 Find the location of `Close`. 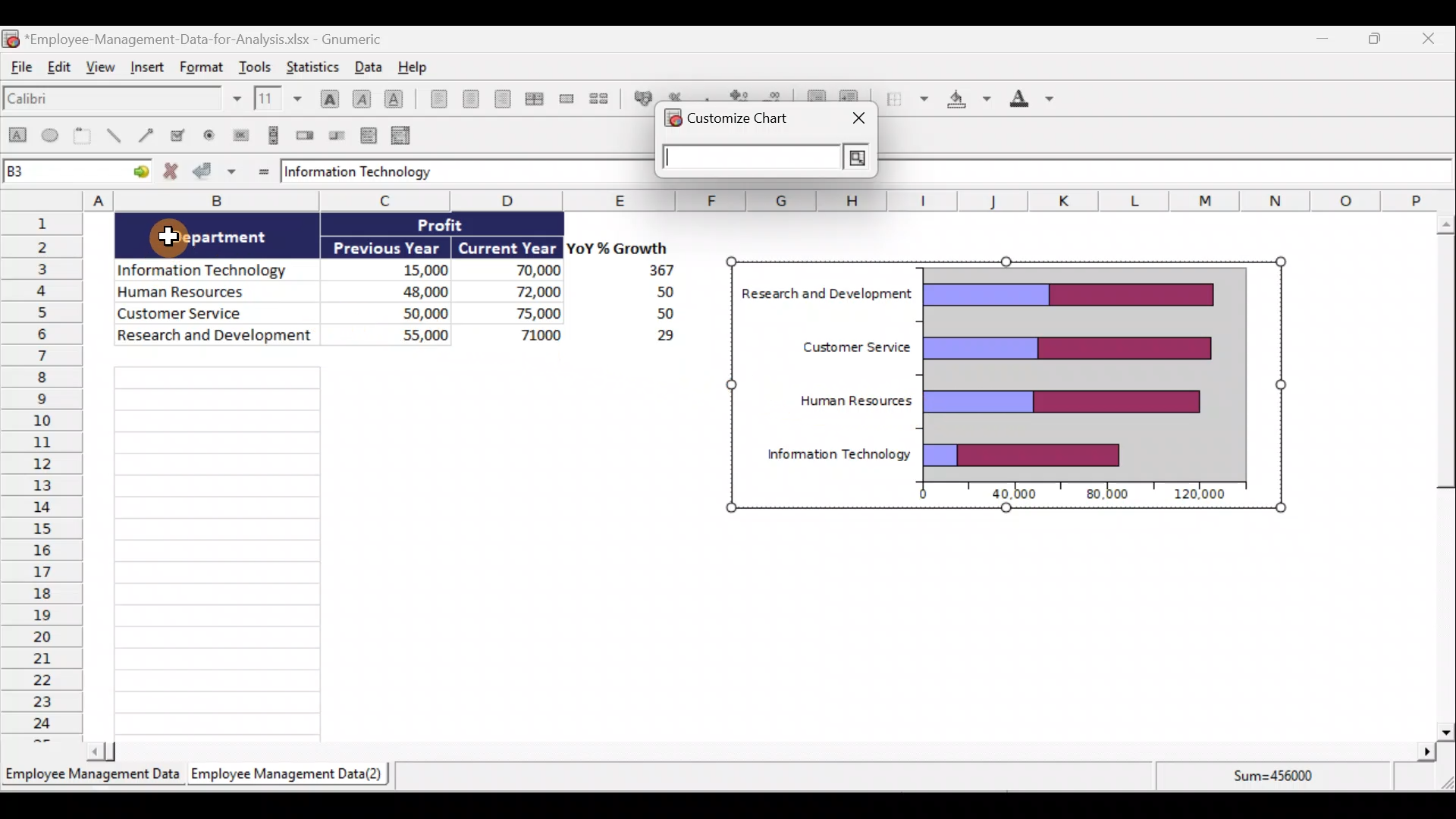

Close is located at coordinates (855, 117).